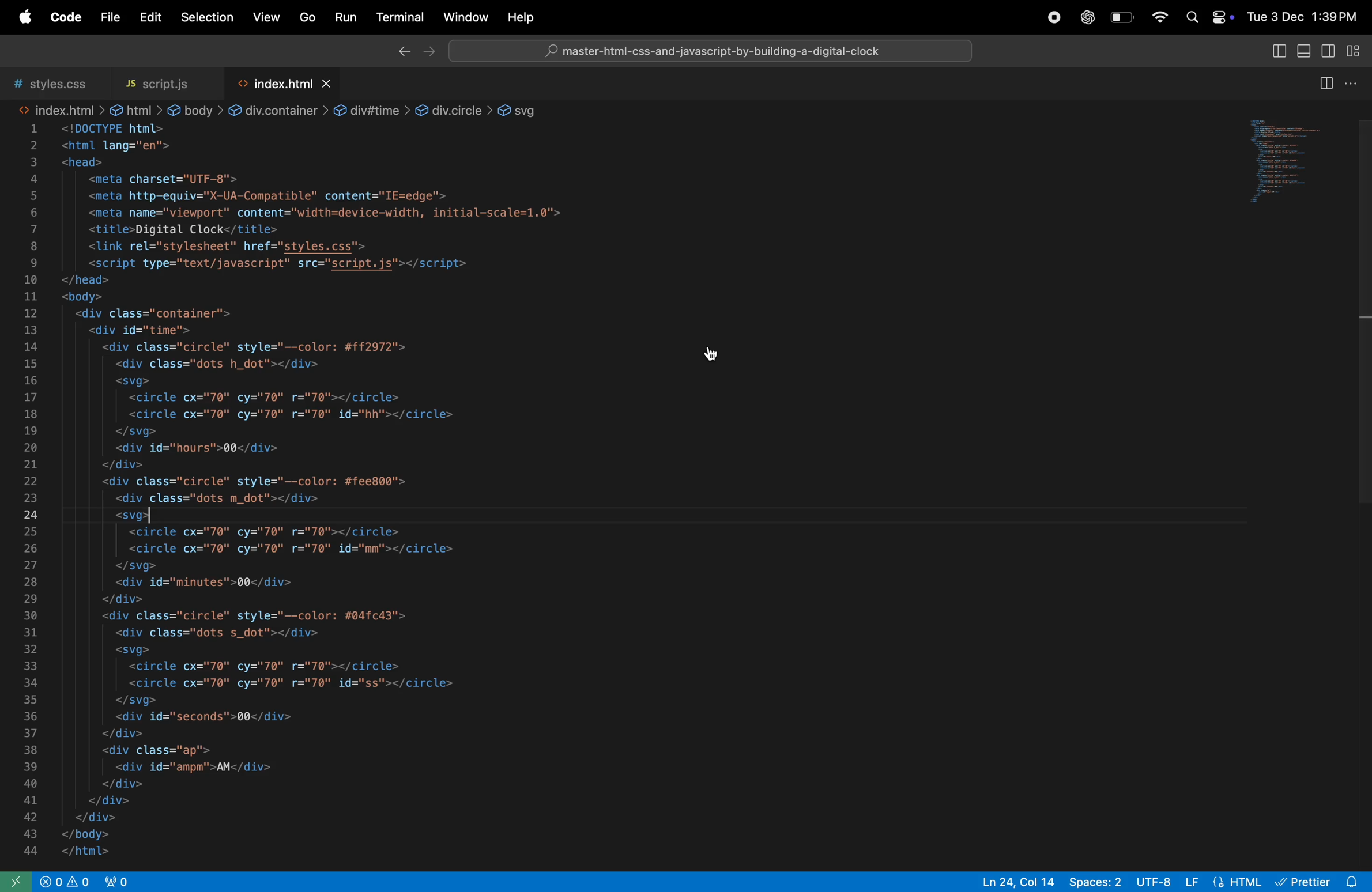 The height and width of the screenshot is (892, 1372). What do you see at coordinates (1273, 54) in the screenshot?
I see `toggle primary side bar` at bounding box center [1273, 54].